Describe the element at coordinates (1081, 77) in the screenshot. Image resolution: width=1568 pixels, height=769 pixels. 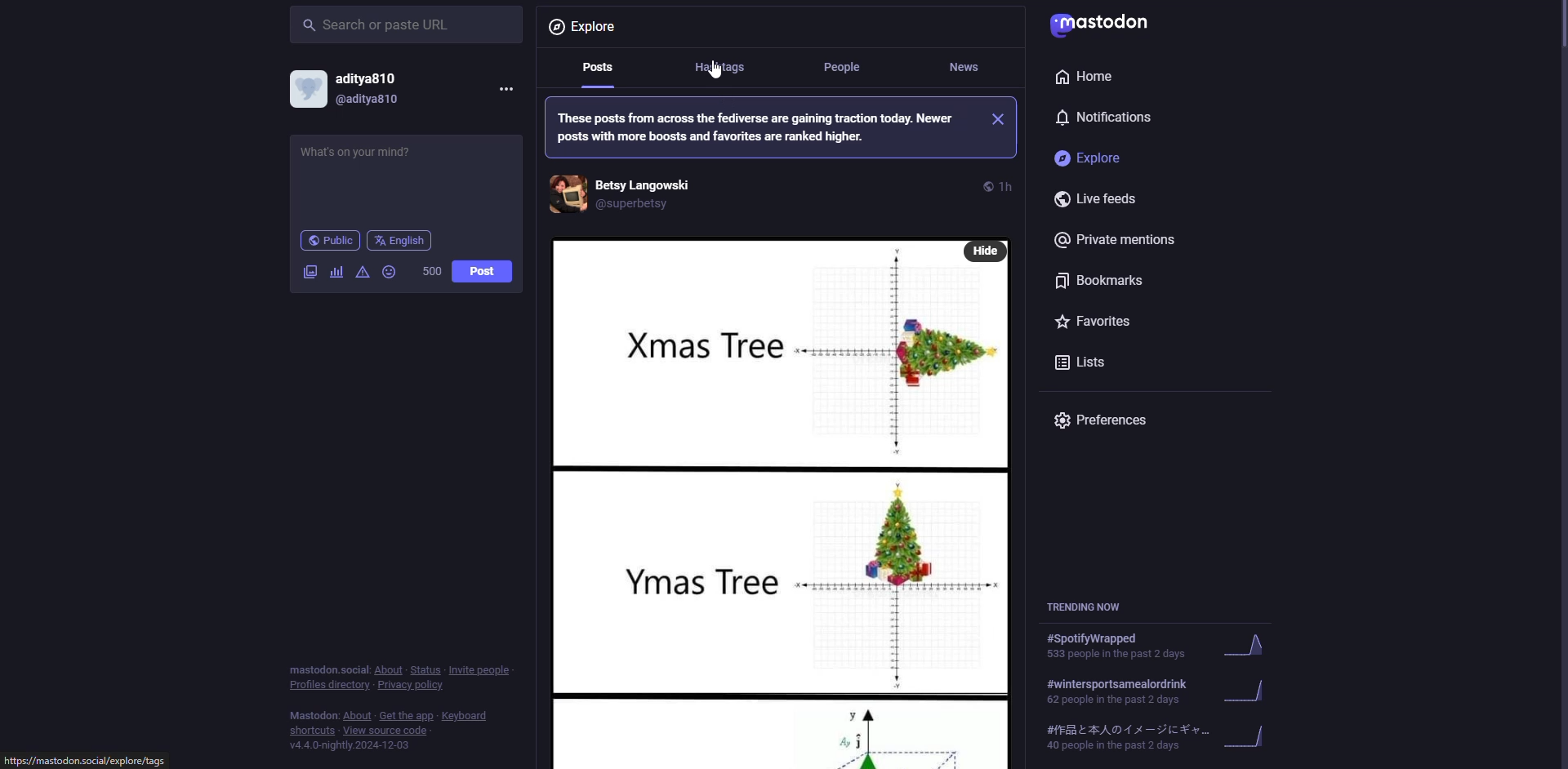
I see `home` at that location.